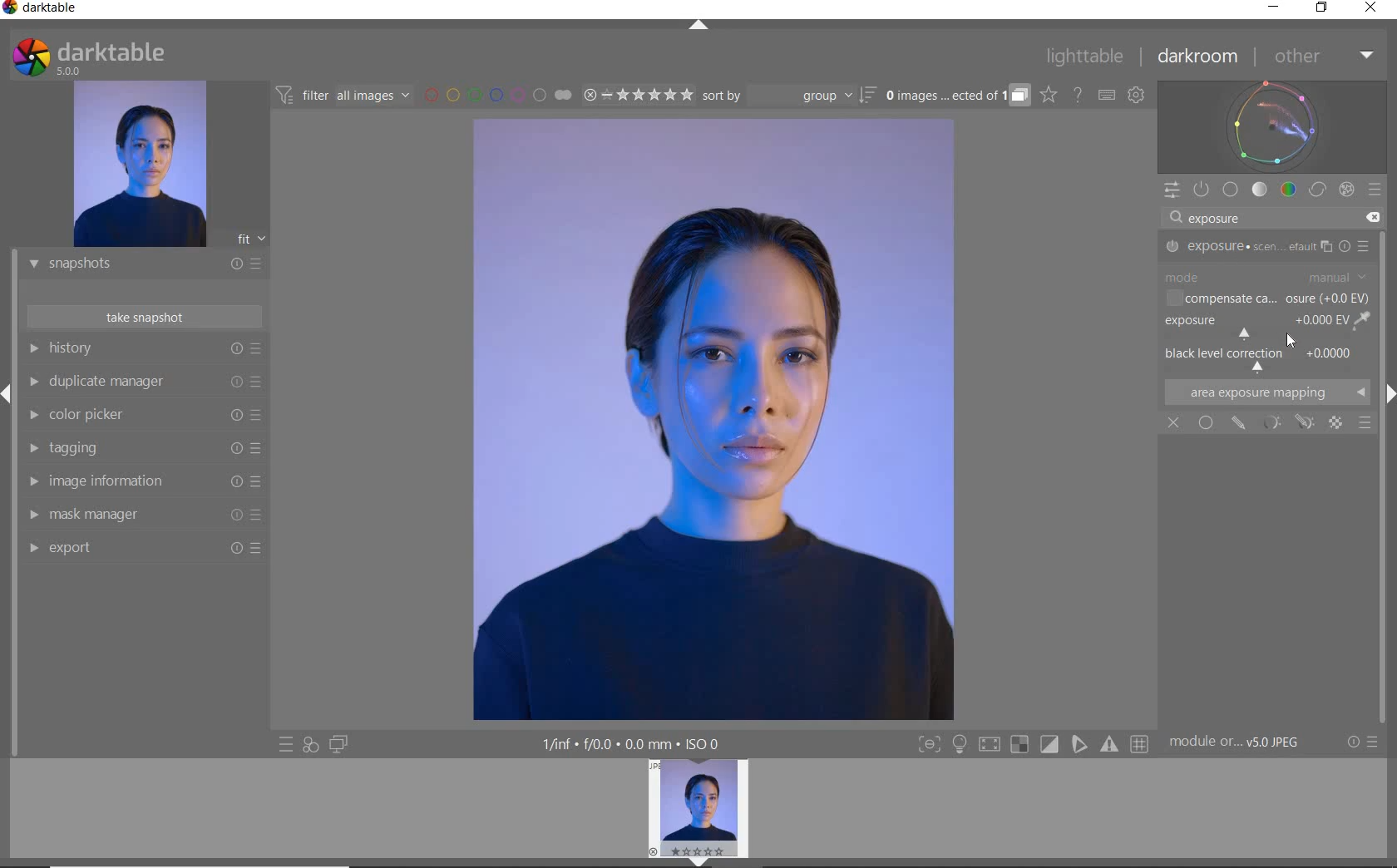 The image size is (1397, 868). Describe the element at coordinates (712, 419) in the screenshot. I see `SELECTED IMAGE` at that location.